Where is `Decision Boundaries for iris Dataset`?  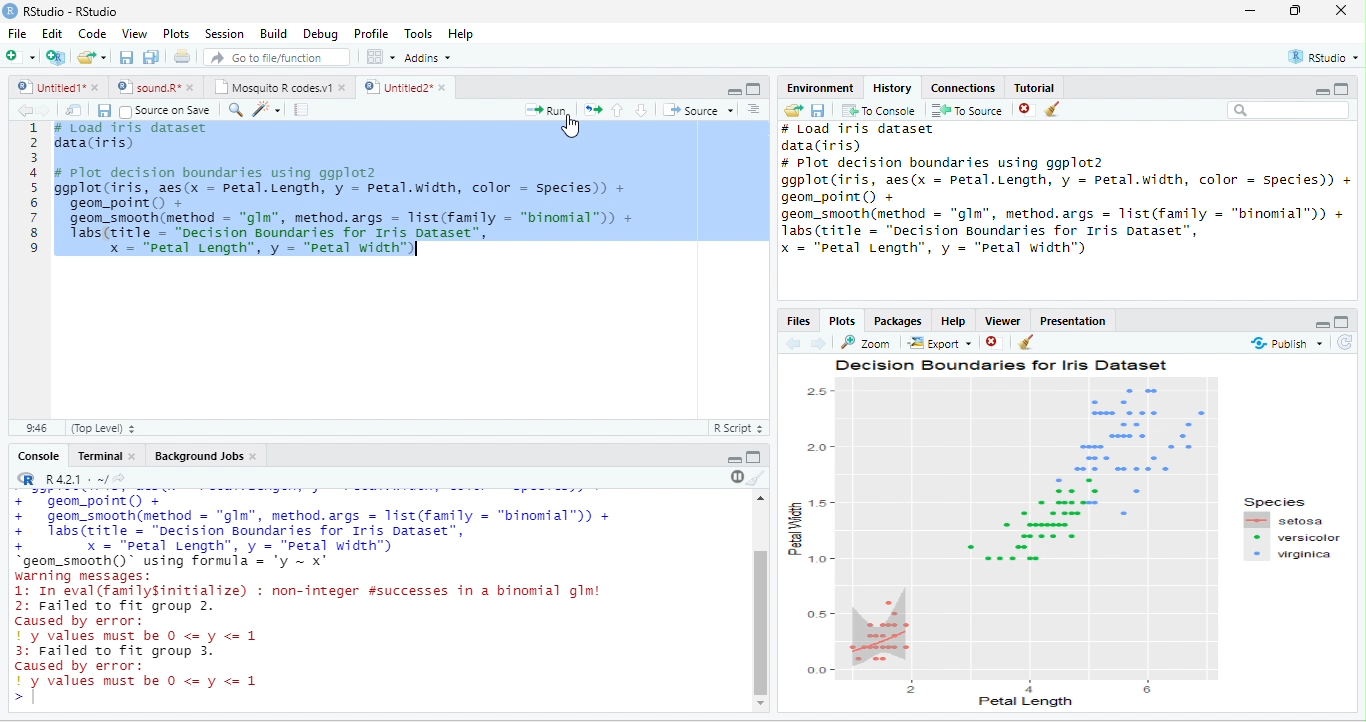
Decision Boundaries for iris Dataset is located at coordinates (1003, 365).